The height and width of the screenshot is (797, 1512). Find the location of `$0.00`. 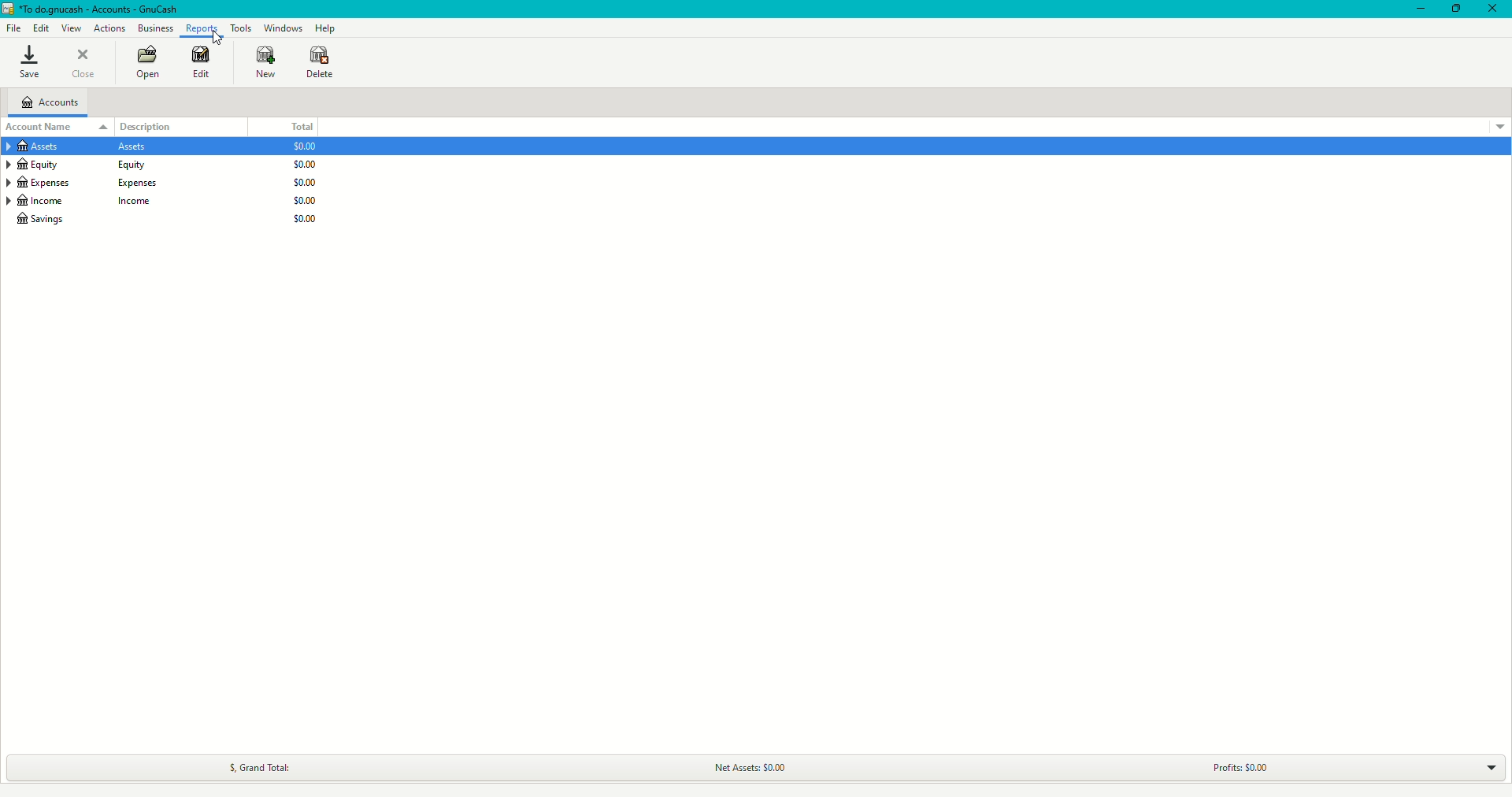

$0.00 is located at coordinates (303, 218).